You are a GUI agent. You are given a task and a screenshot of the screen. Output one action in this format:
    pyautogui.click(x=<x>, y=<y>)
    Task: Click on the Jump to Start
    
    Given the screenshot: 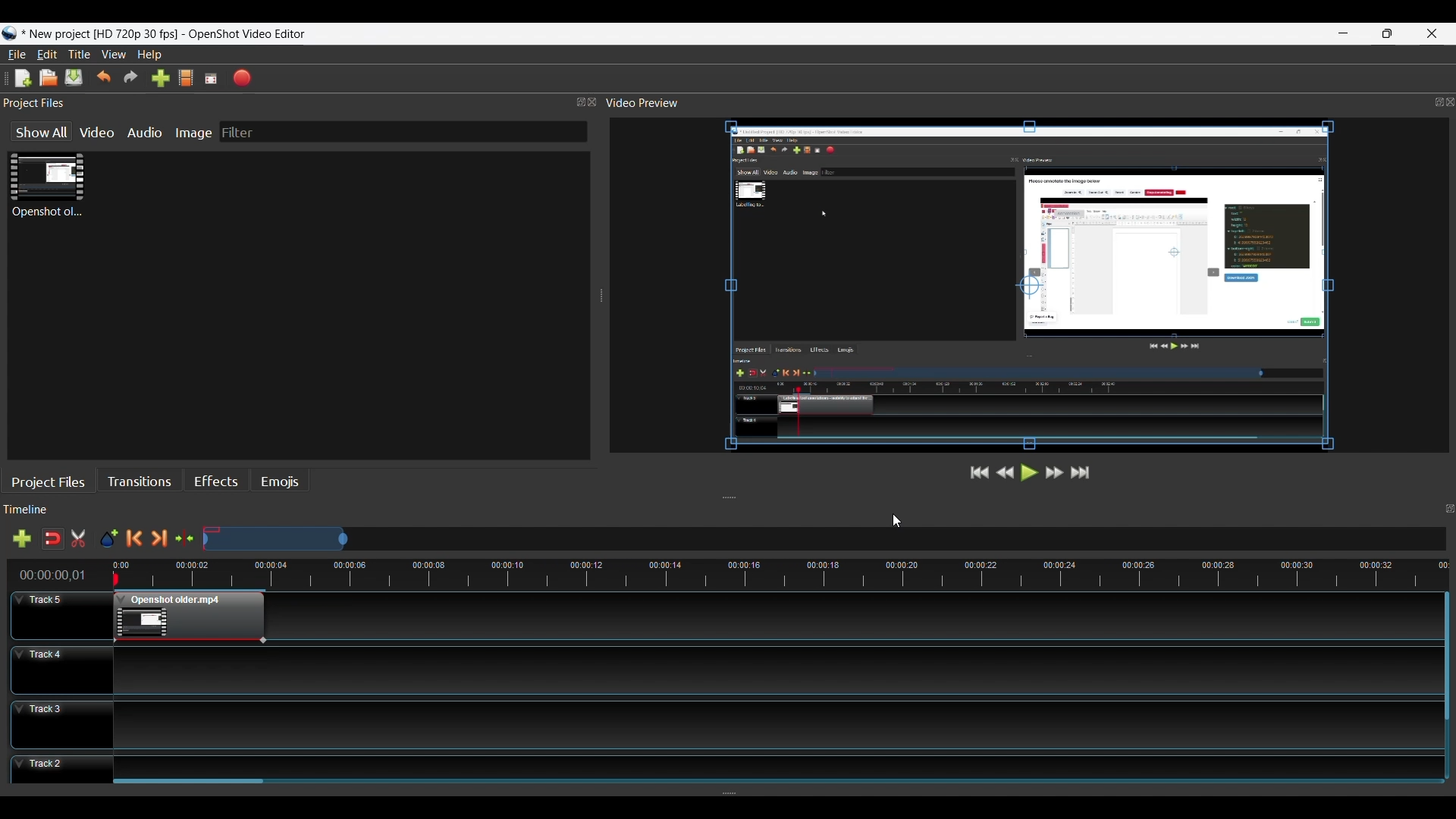 What is the action you would take?
    pyautogui.click(x=977, y=472)
    